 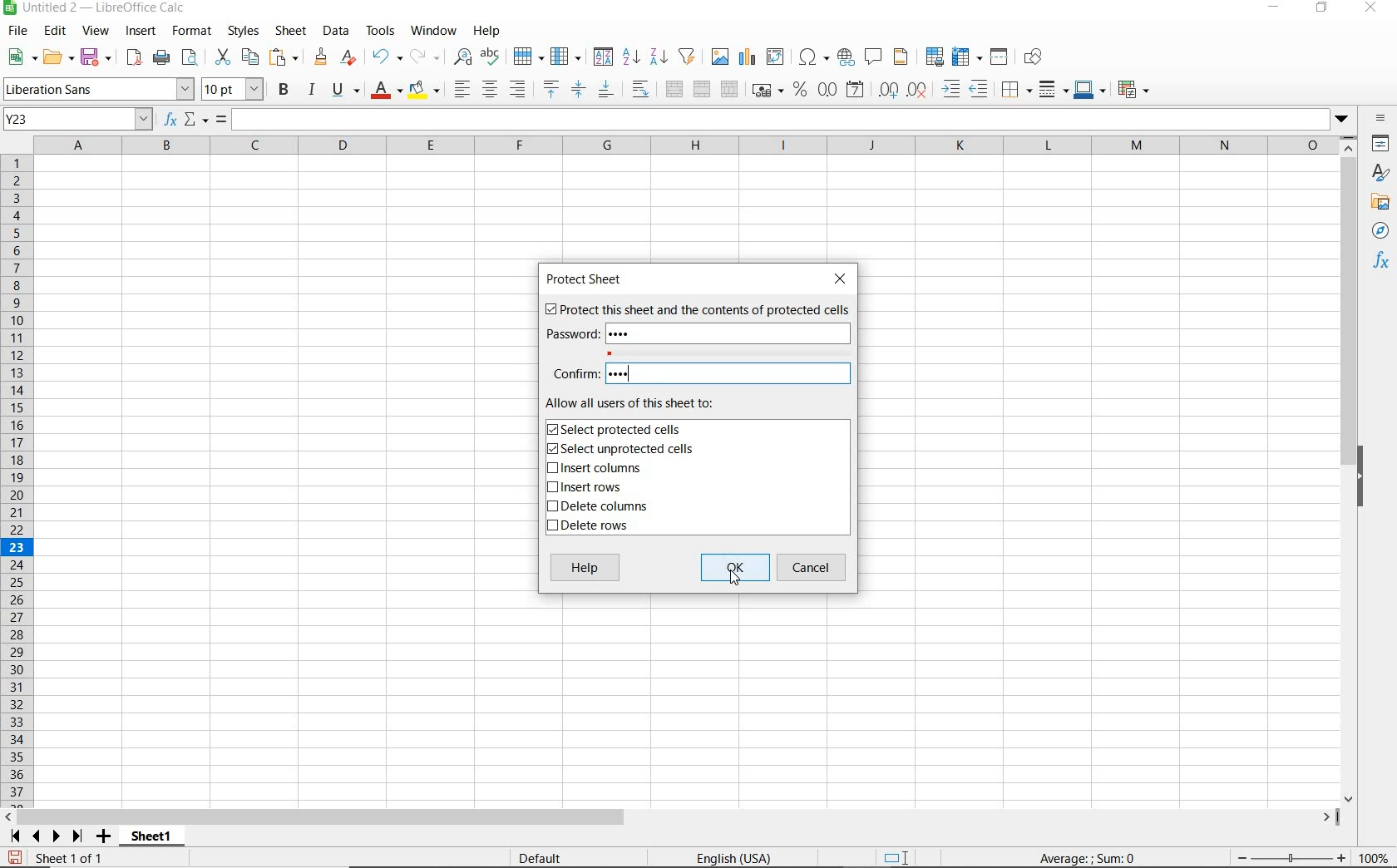 I want to click on WINDOW, so click(x=433, y=31).